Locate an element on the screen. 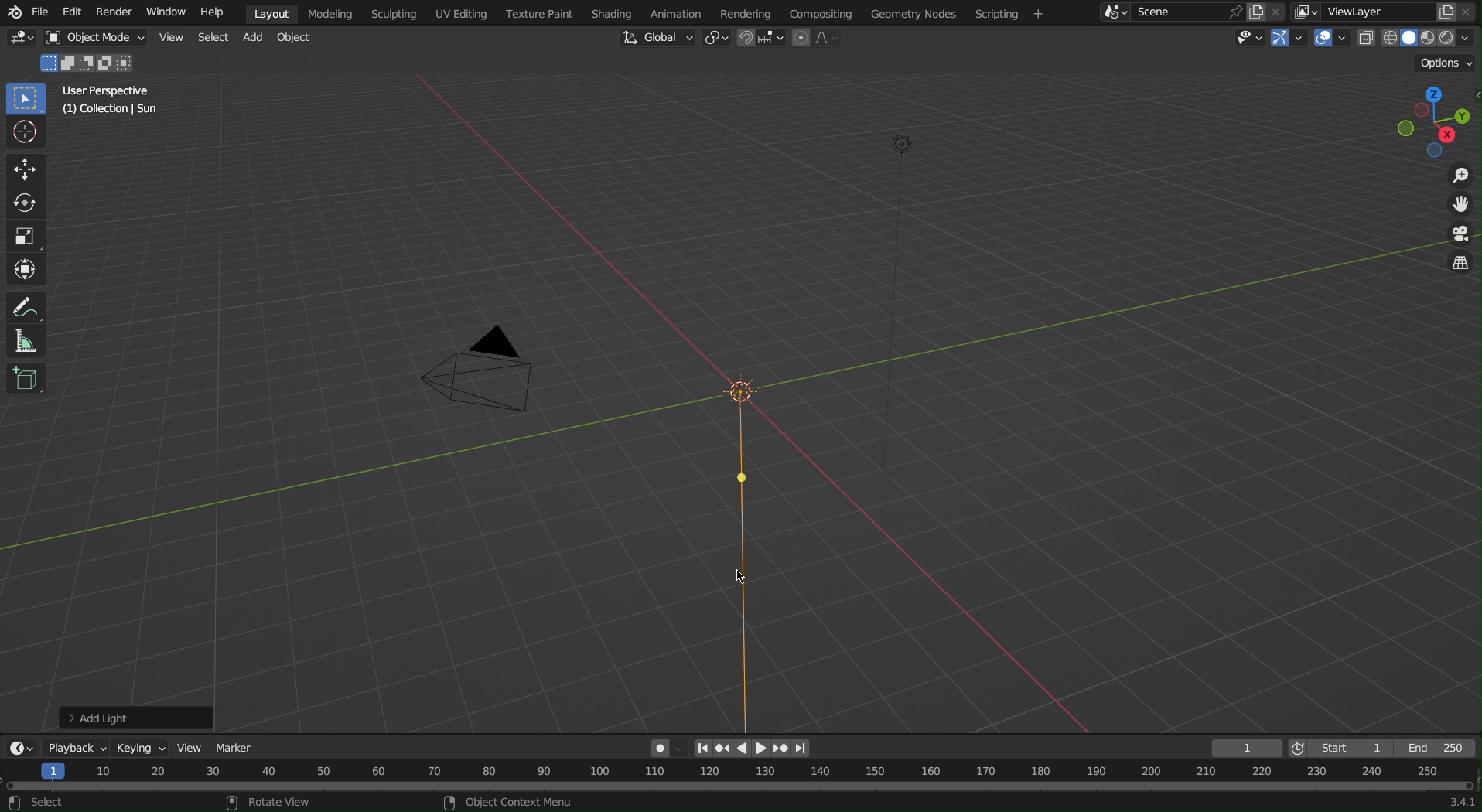 The height and width of the screenshot is (812, 1482). next is located at coordinates (801, 749).